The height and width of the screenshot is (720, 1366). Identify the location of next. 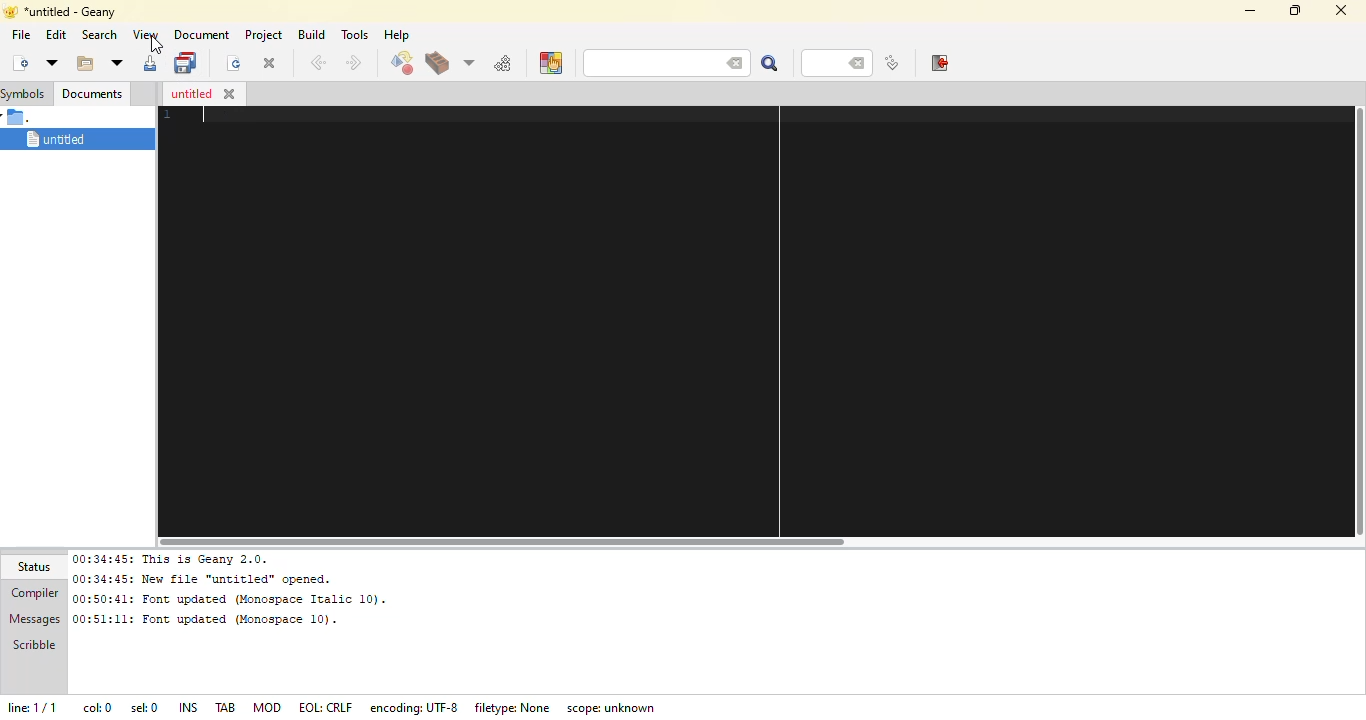
(352, 63).